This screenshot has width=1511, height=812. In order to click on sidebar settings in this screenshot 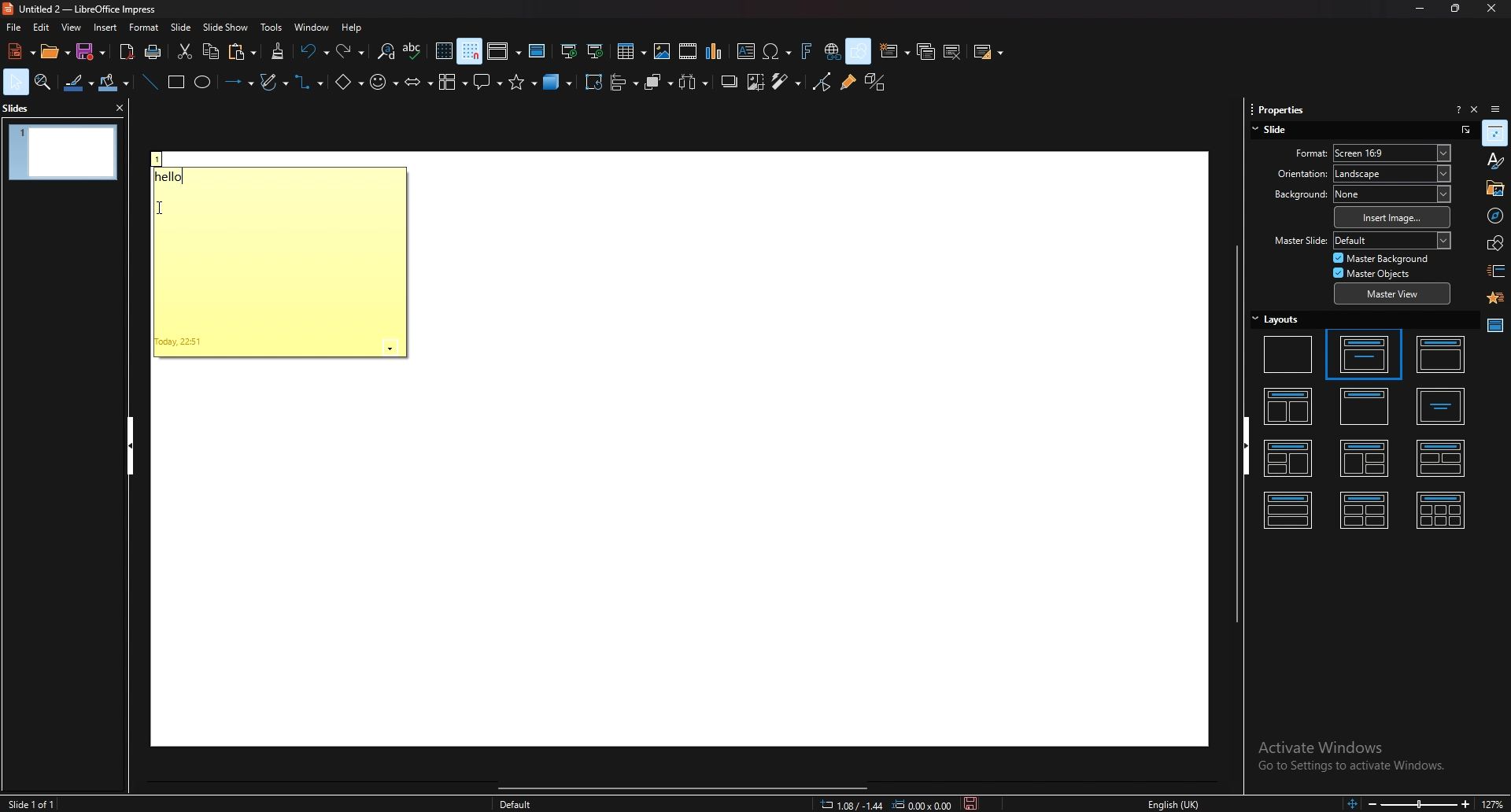, I will do `click(1497, 108)`.